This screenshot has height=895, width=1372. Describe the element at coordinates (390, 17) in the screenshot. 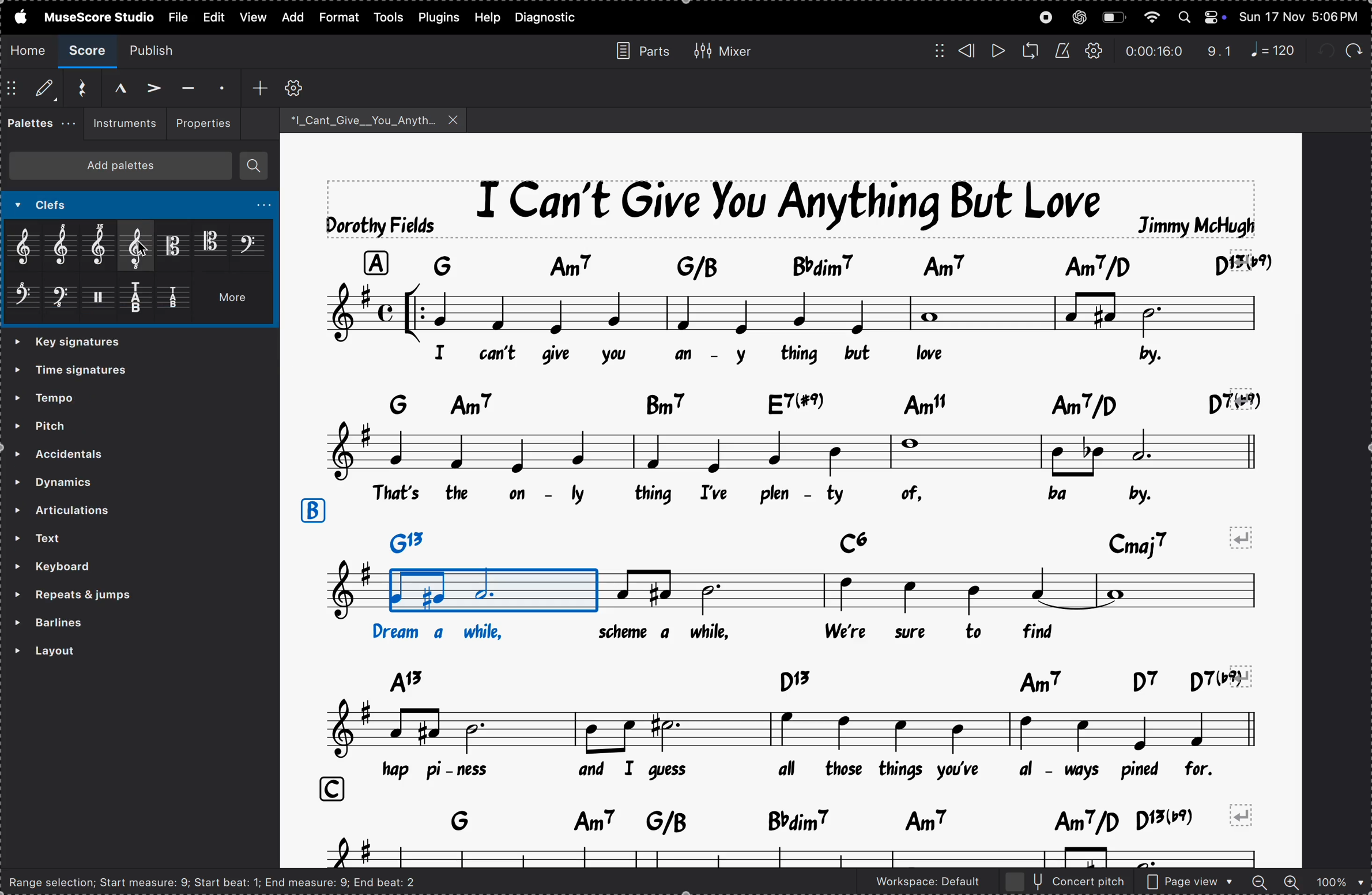

I see `tools` at that location.